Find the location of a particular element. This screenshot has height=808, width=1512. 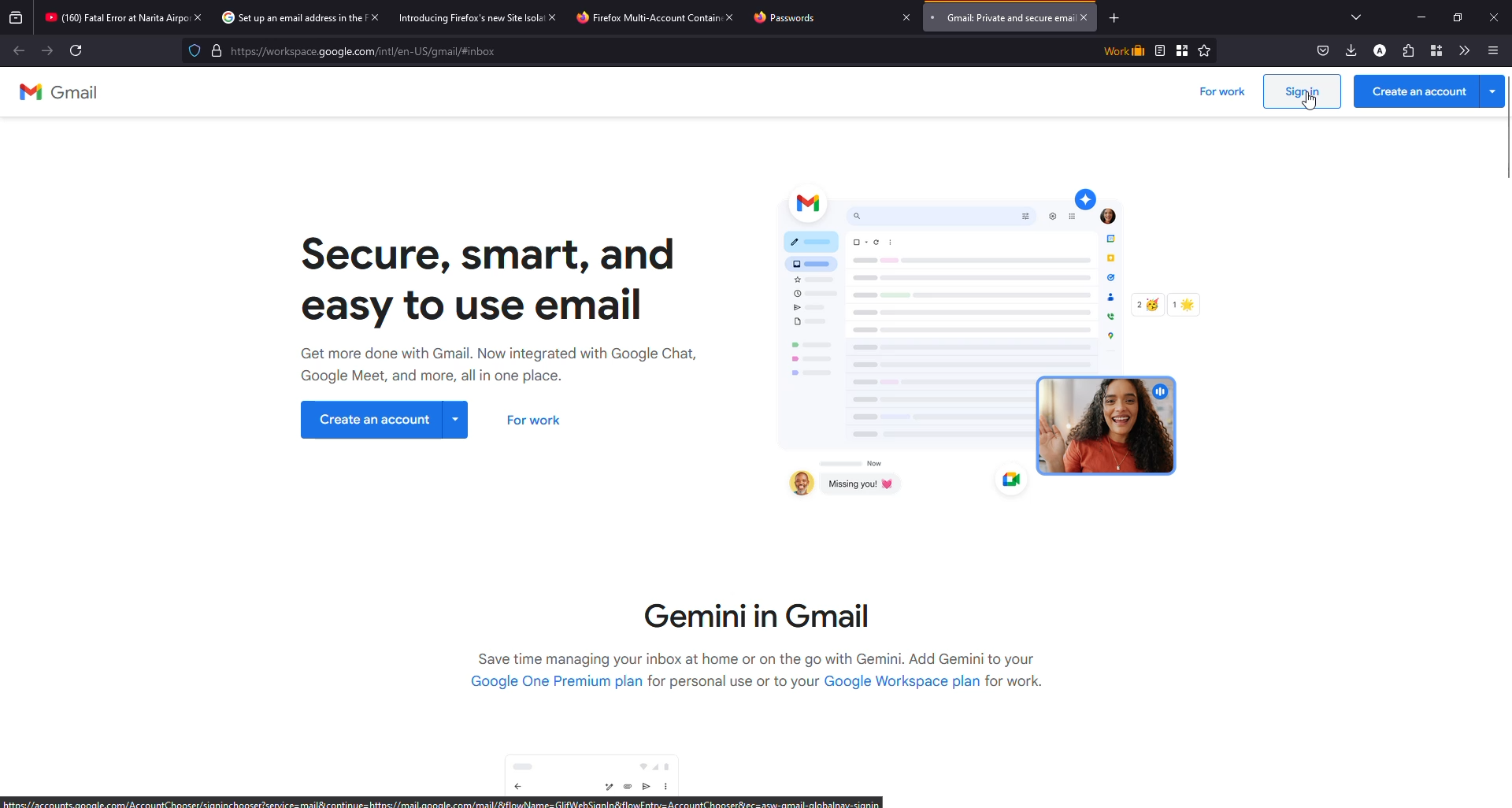

profile is located at coordinates (1378, 50).